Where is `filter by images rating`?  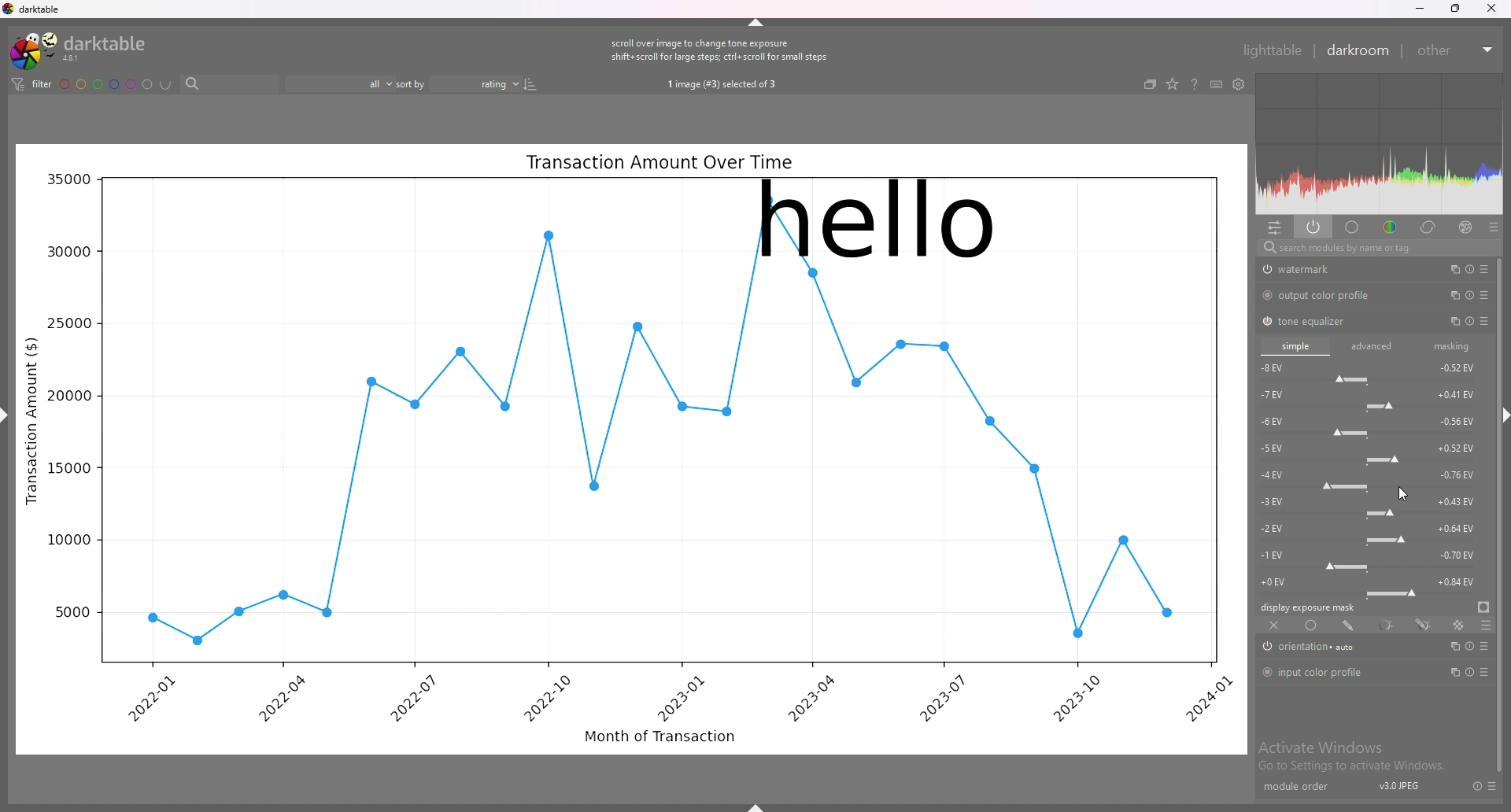
filter by images rating is located at coordinates (338, 85).